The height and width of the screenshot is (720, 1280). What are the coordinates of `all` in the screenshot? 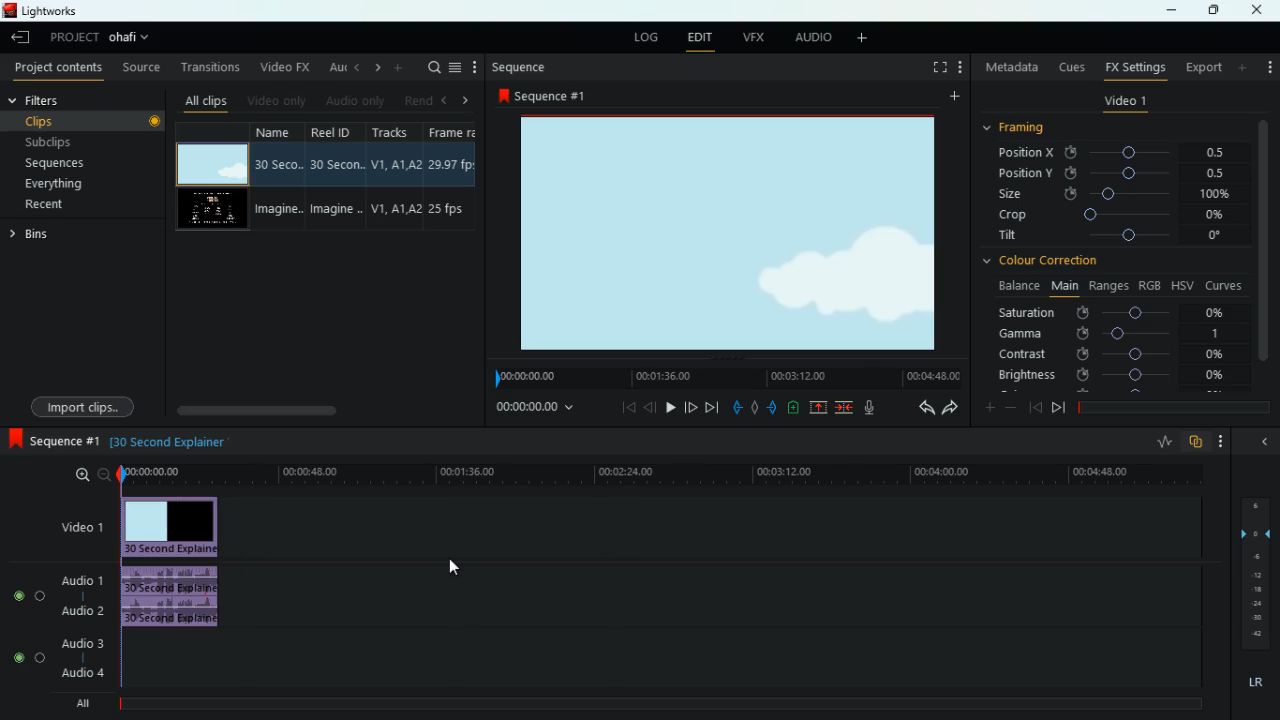 It's located at (76, 704).